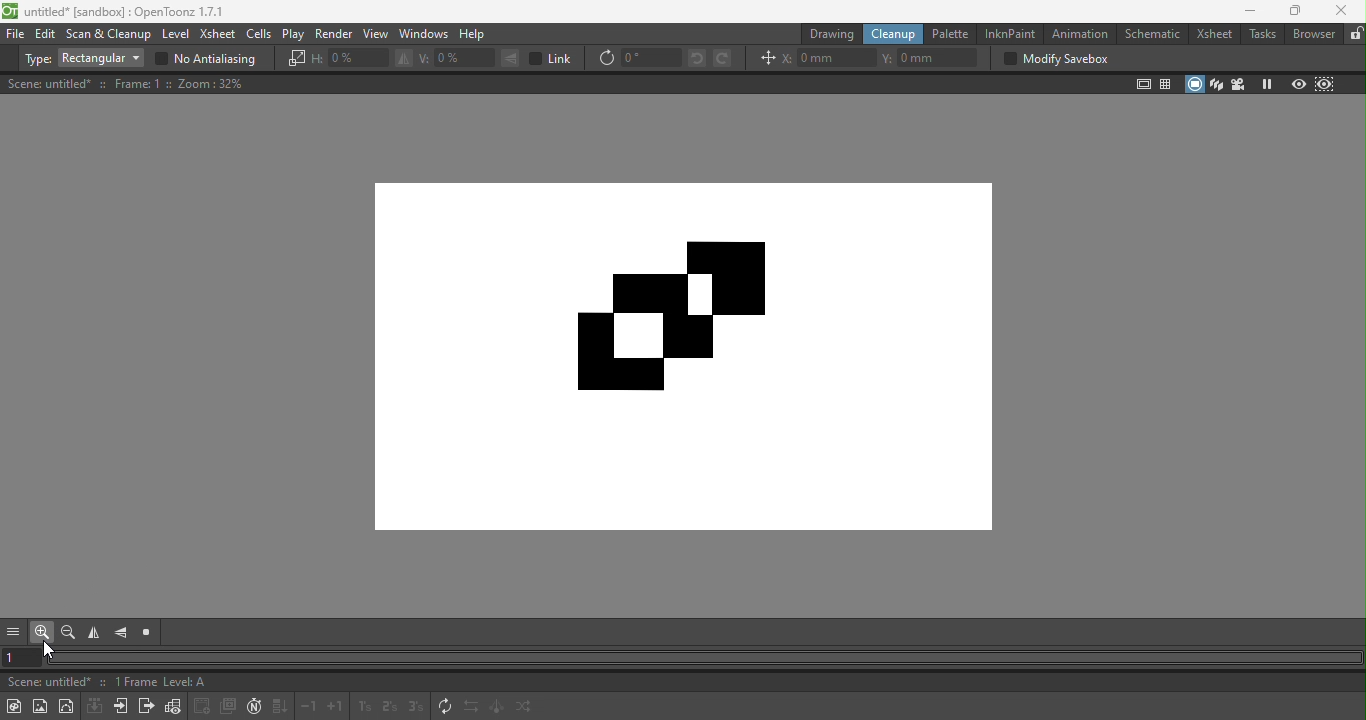  What do you see at coordinates (17, 35) in the screenshot?
I see `File` at bounding box center [17, 35].